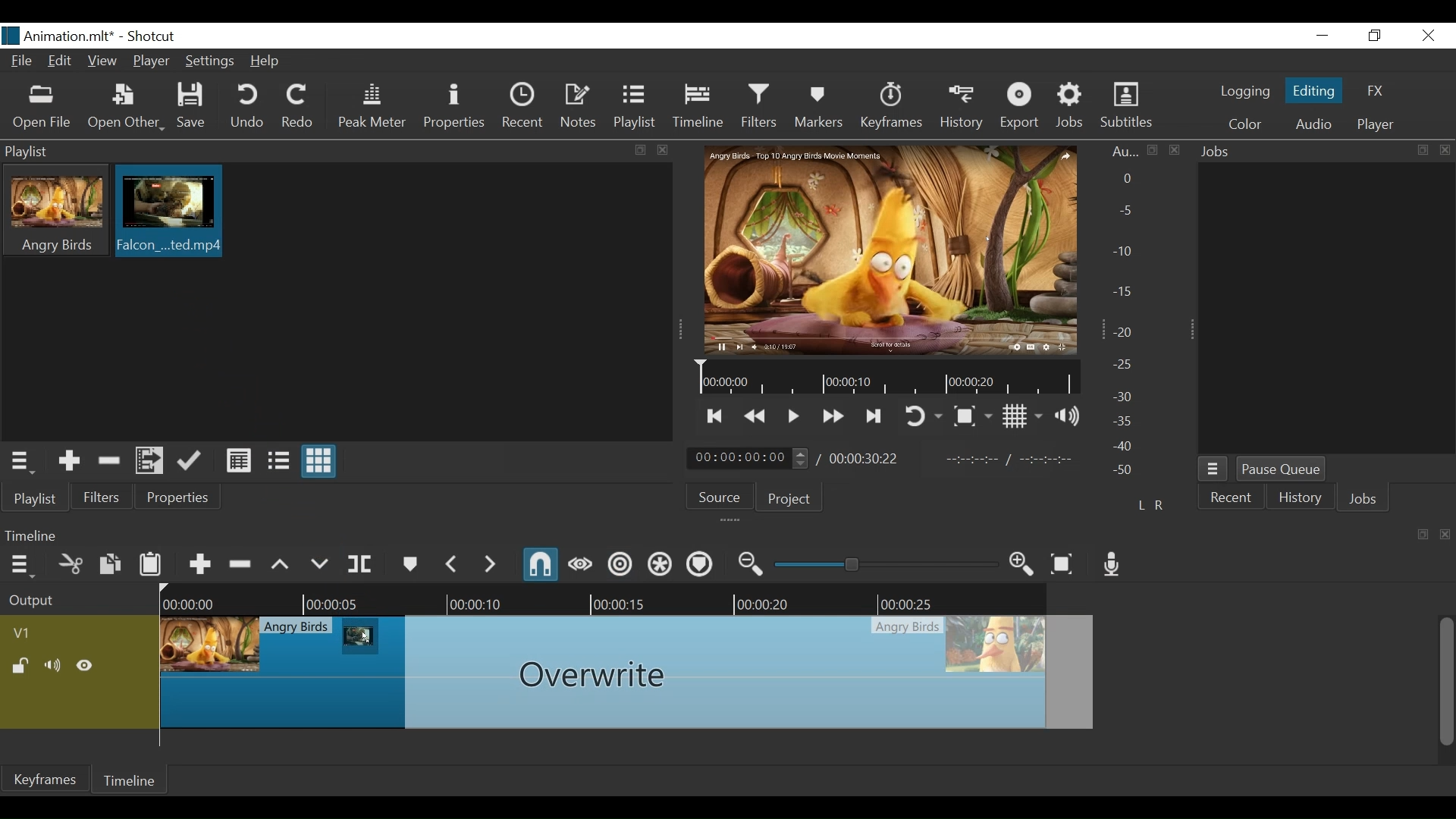 This screenshot has height=819, width=1456. Describe the element at coordinates (1129, 314) in the screenshot. I see `Audio Panel` at that location.